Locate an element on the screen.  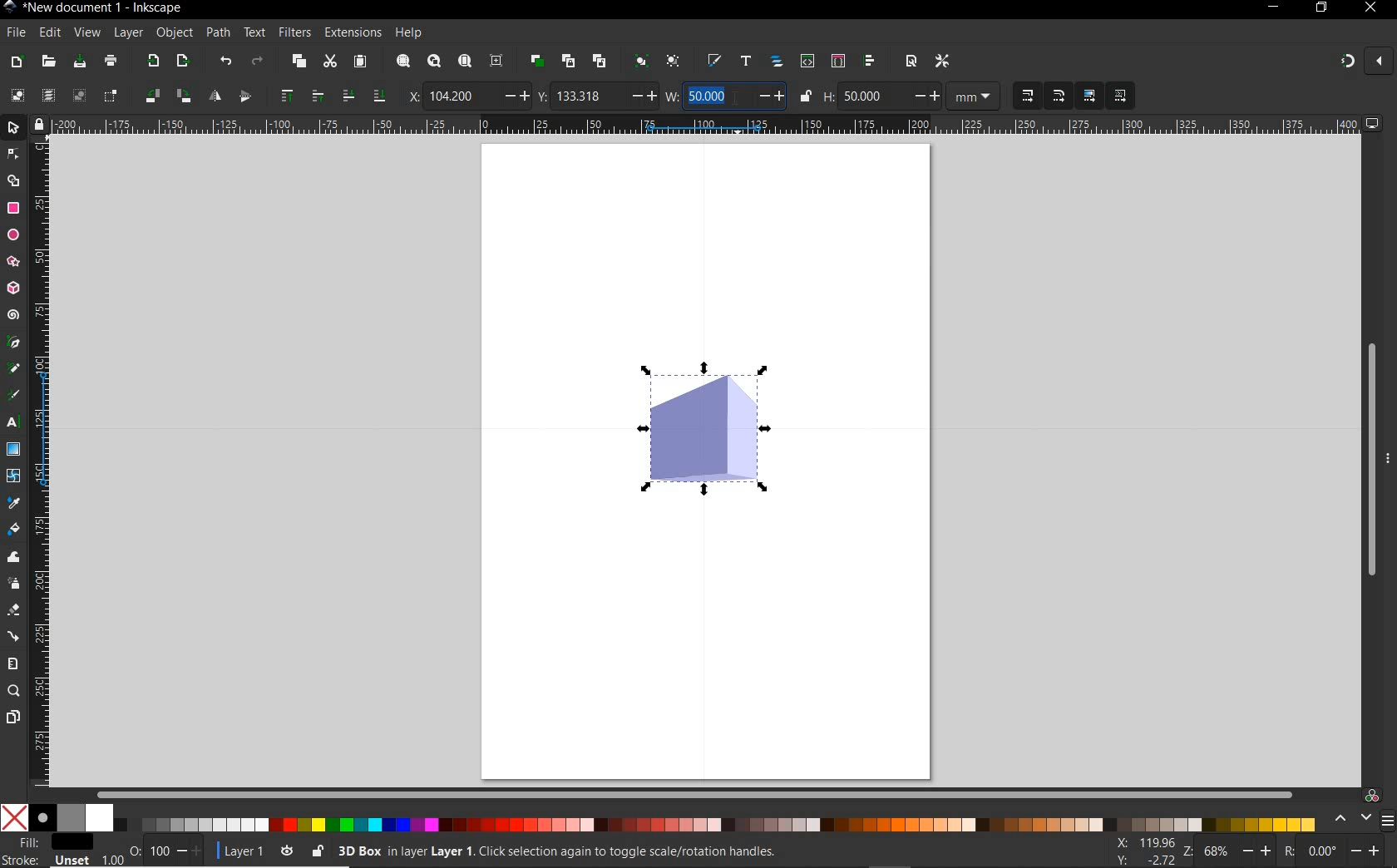
increase/decrease is located at coordinates (1366, 851).